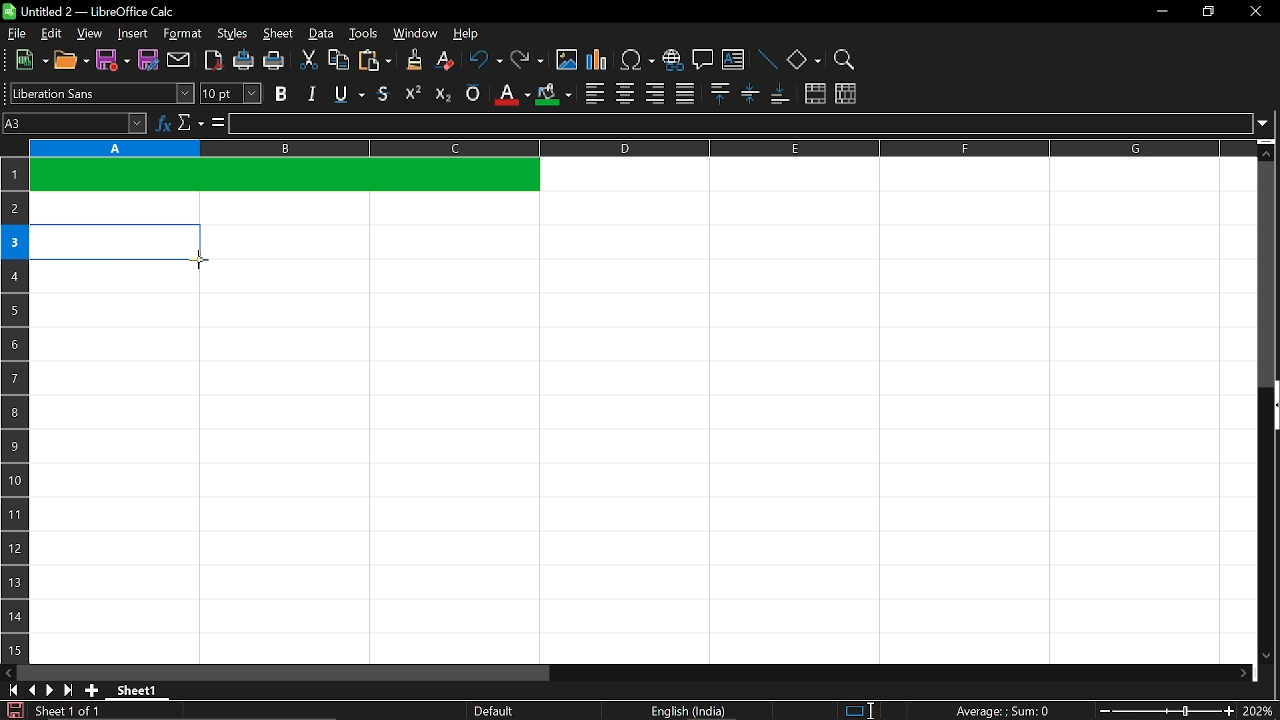 The width and height of the screenshot is (1280, 720). Describe the element at coordinates (413, 93) in the screenshot. I see `supercript` at that location.